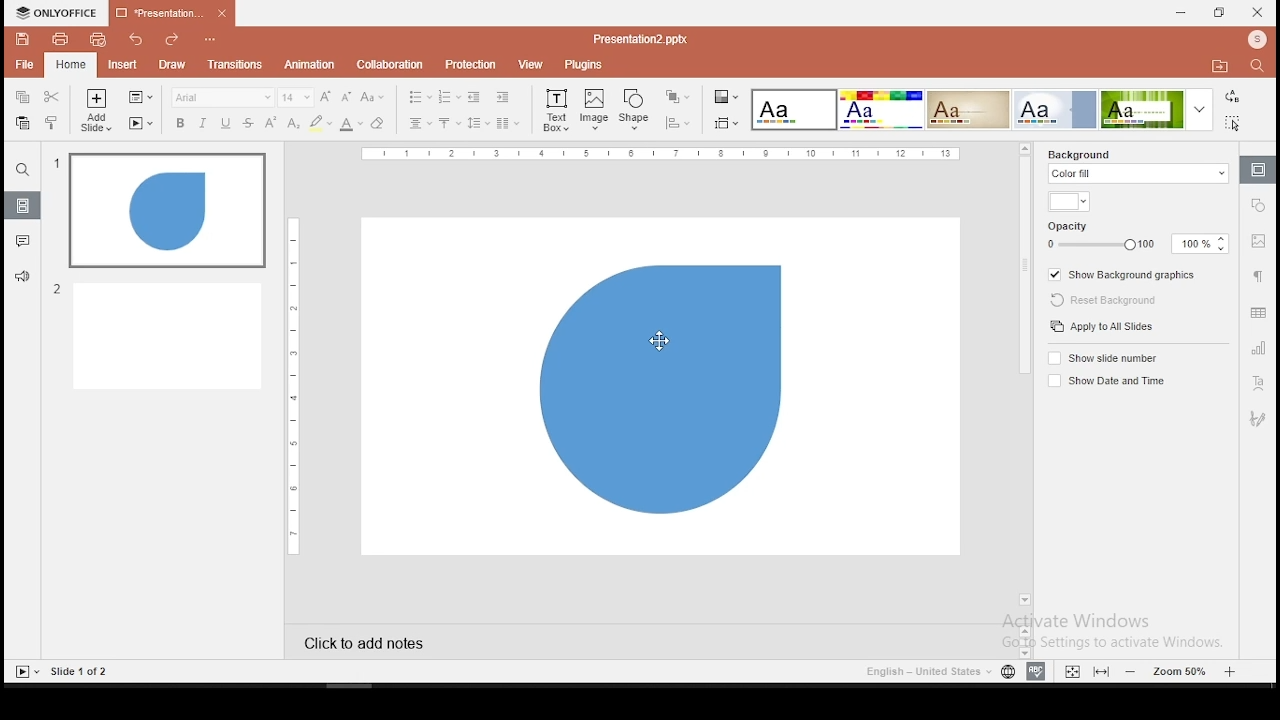 The height and width of the screenshot is (720, 1280). What do you see at coordinates (1256, 206) in the screenshot?
I see `shape settings` at bounding box center [1256, 206].